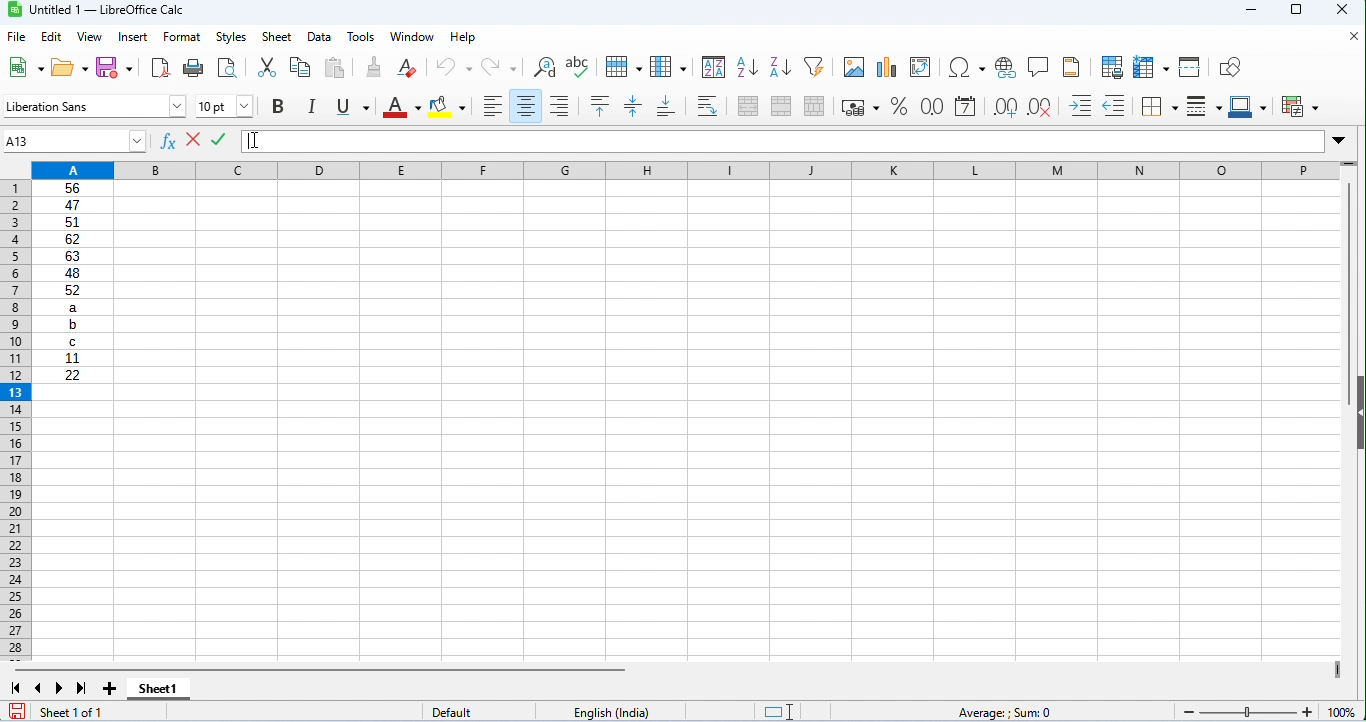 Image resolution: width=1366 pixels, height=722 pixels. Describe the element at coordinates (109, 690) in the screenshot. I see `add new sheet` at that location.